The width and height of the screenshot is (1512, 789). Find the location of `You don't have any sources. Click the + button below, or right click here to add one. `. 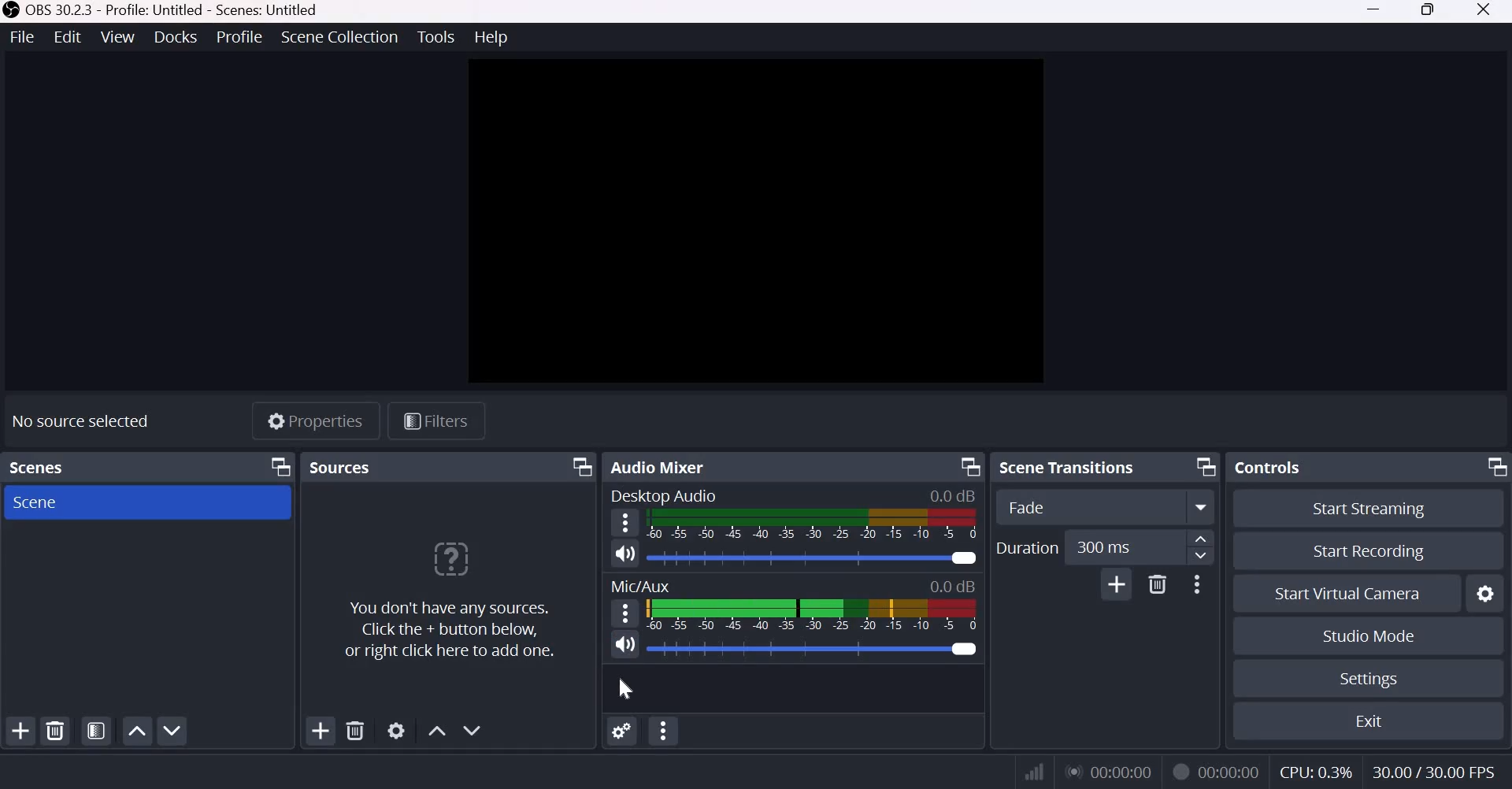

You don't have any sources. Click the + button below, or right click here to add one.  is located at coordinates (450, 601).